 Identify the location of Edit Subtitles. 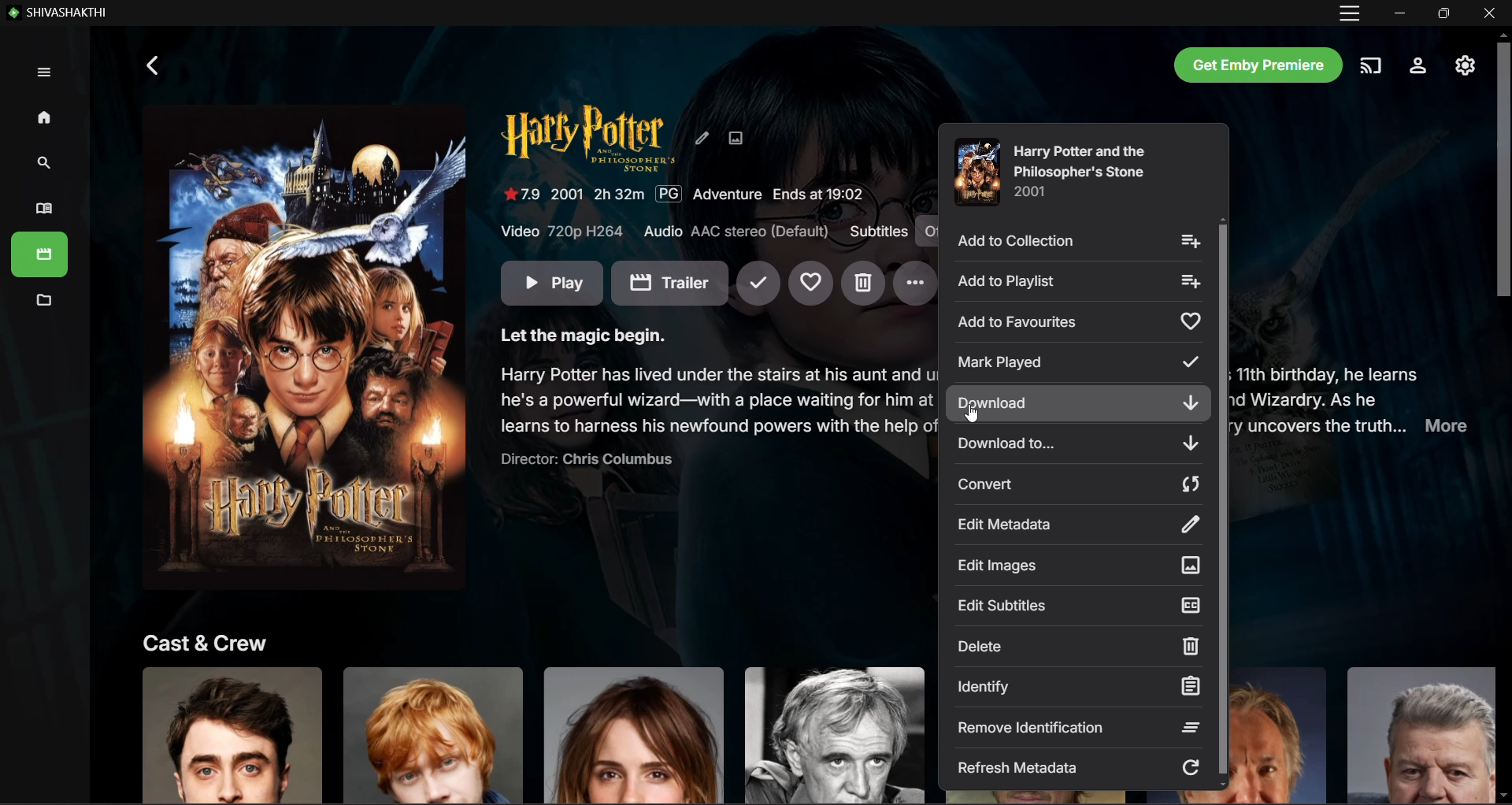
(1081, 606).